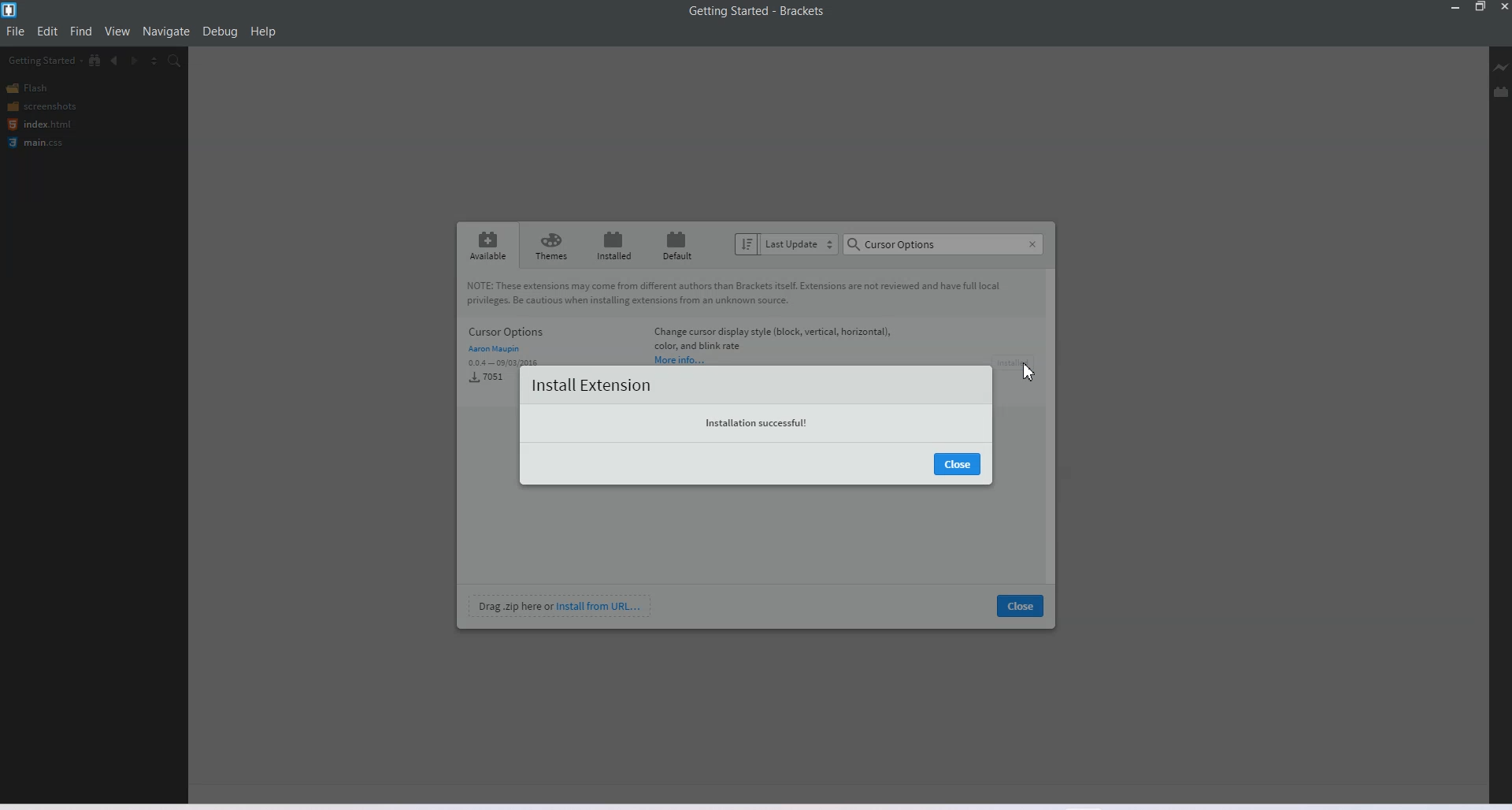  What do you see at coordinates (82, 30) in the screenshot?
I see `Find` at bounding box center [82, 30].